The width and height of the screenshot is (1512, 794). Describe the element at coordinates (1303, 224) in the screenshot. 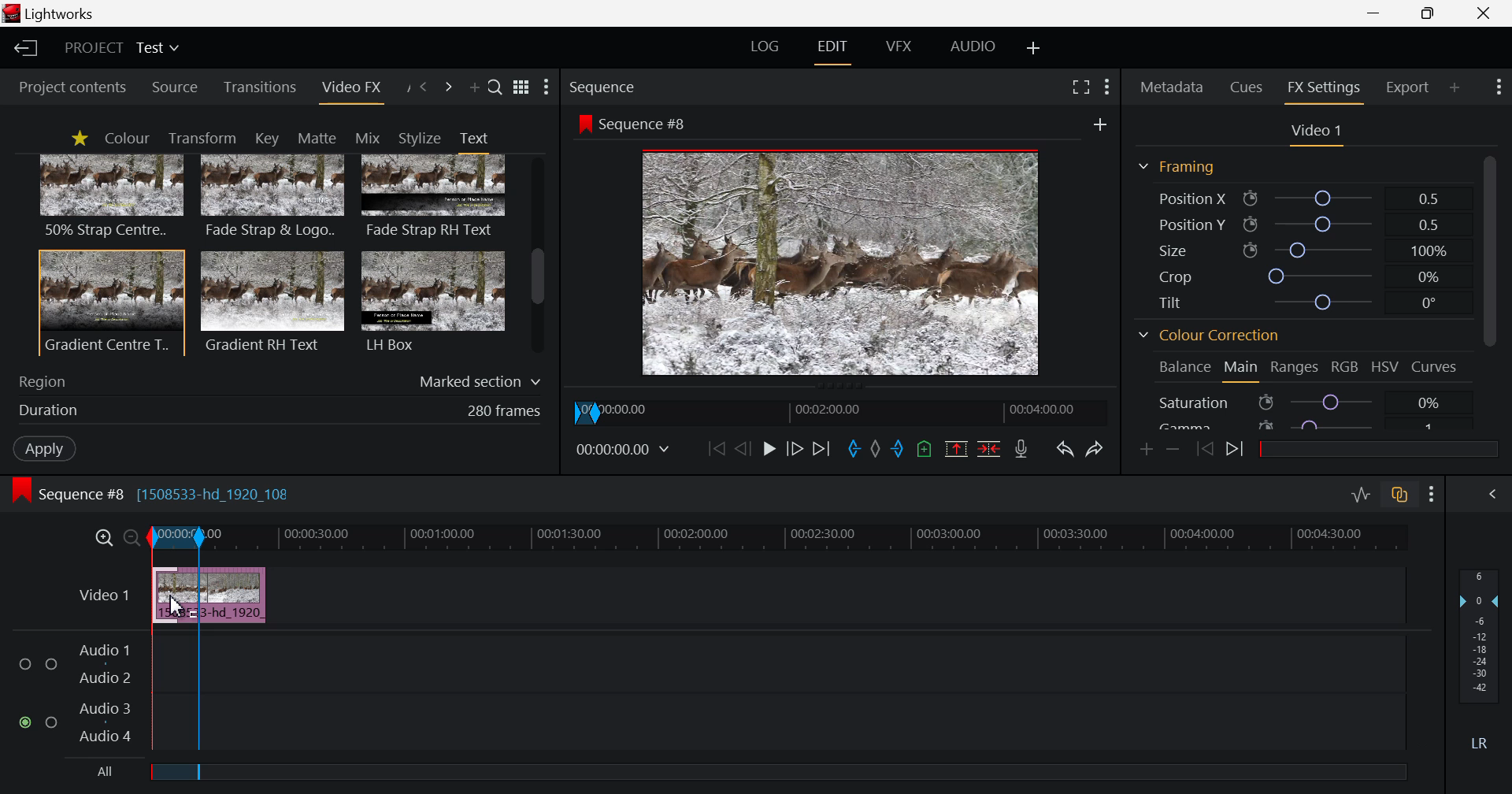

I see `Position Y` at that location.